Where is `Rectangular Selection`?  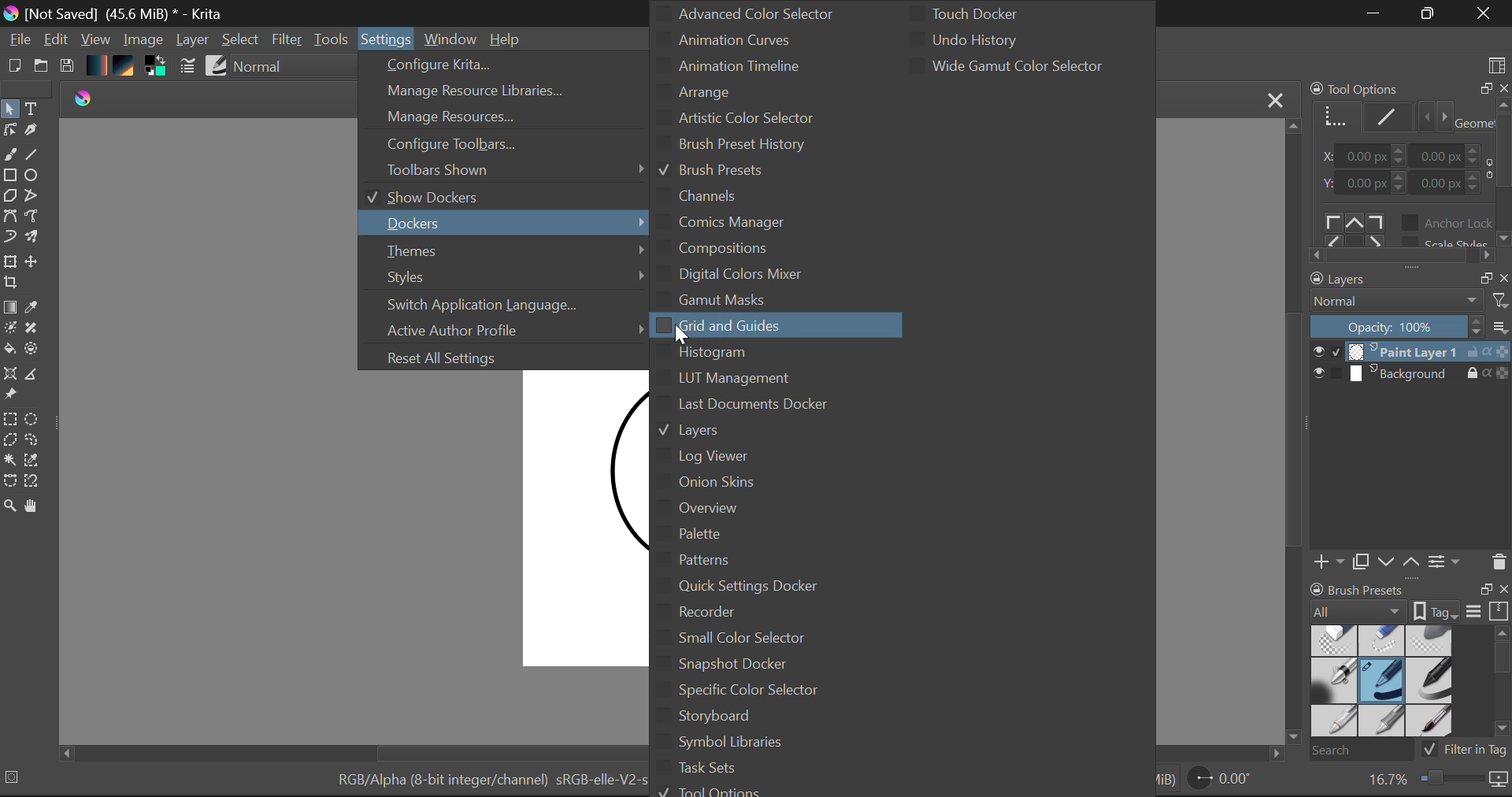
Rectangular Selection is located at coordinates (11, 419).